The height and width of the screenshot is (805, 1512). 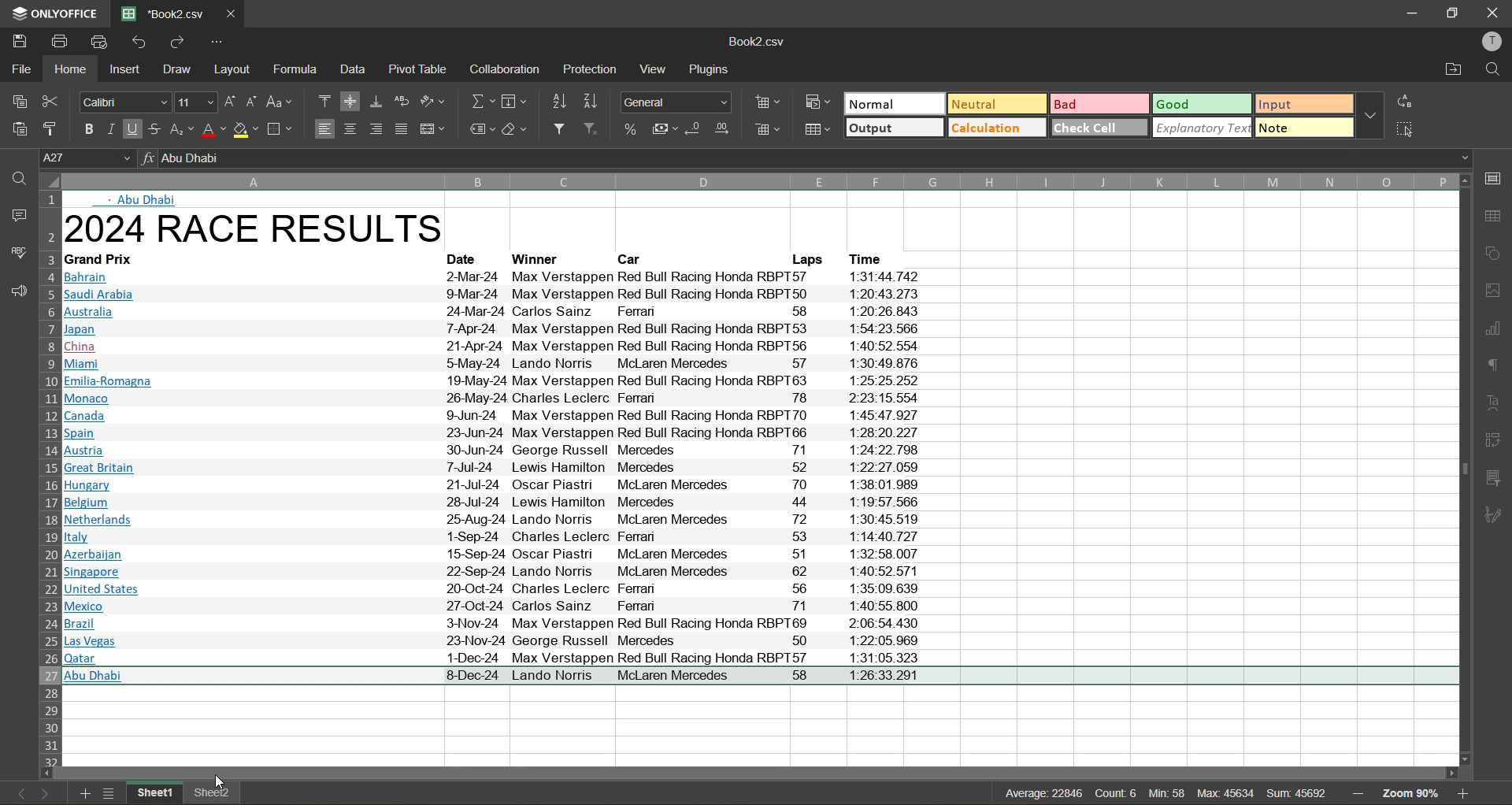 I want to click on paragraph, so click(x=1495, y=369).